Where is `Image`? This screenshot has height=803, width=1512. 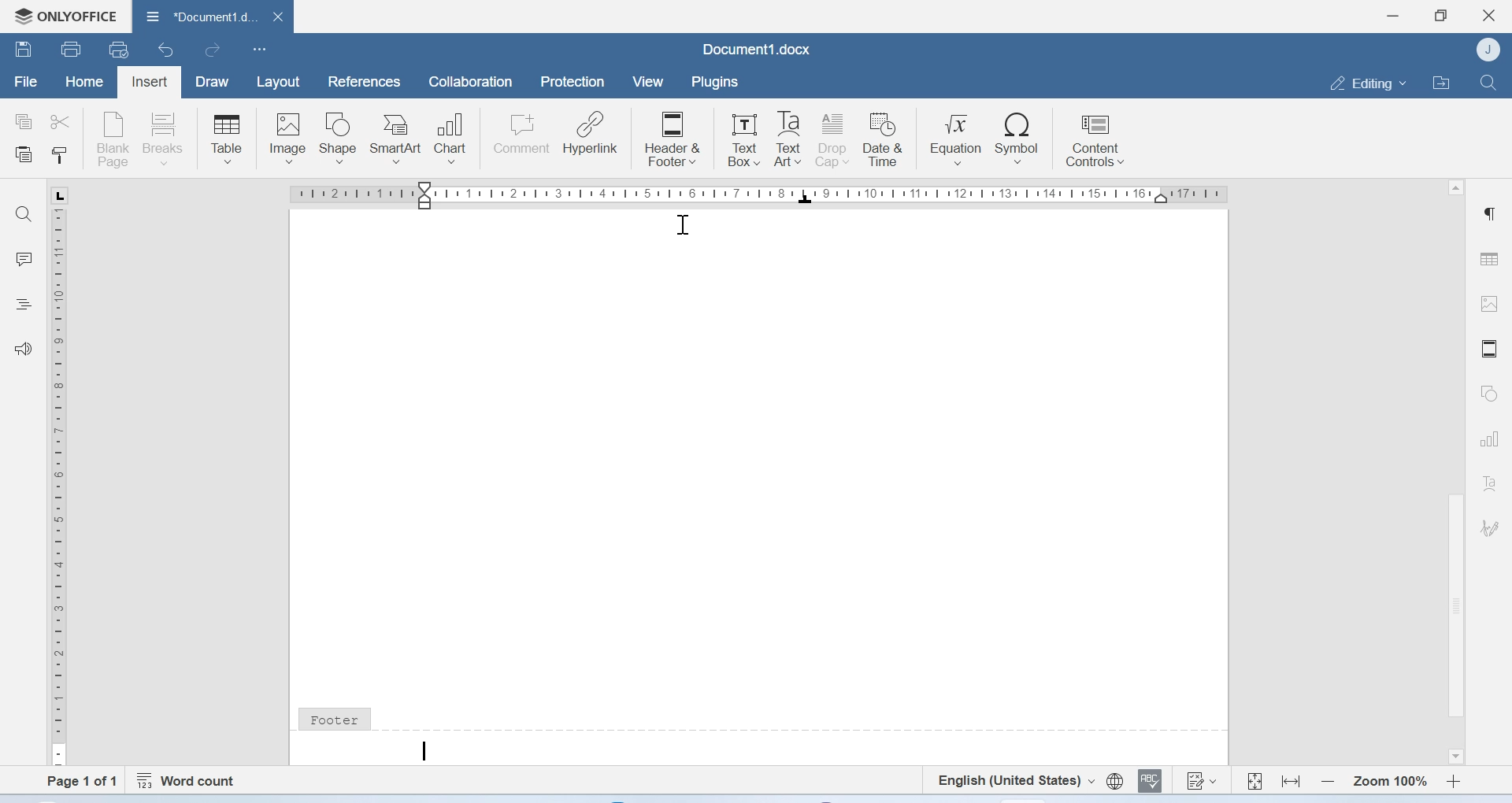
Image is located at coordinates (287, 137).